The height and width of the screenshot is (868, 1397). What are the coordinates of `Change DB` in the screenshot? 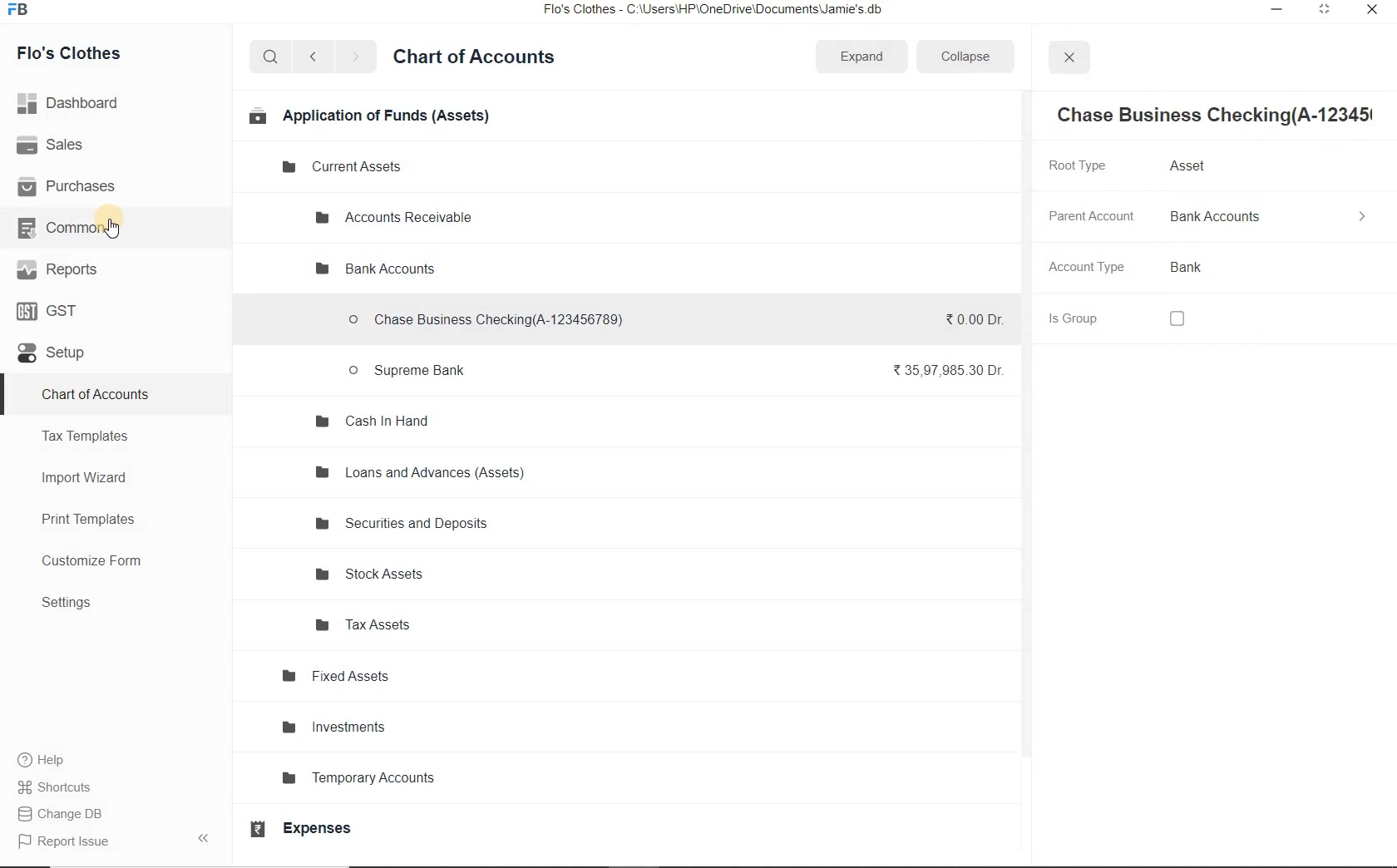 It's located at (62, 812).